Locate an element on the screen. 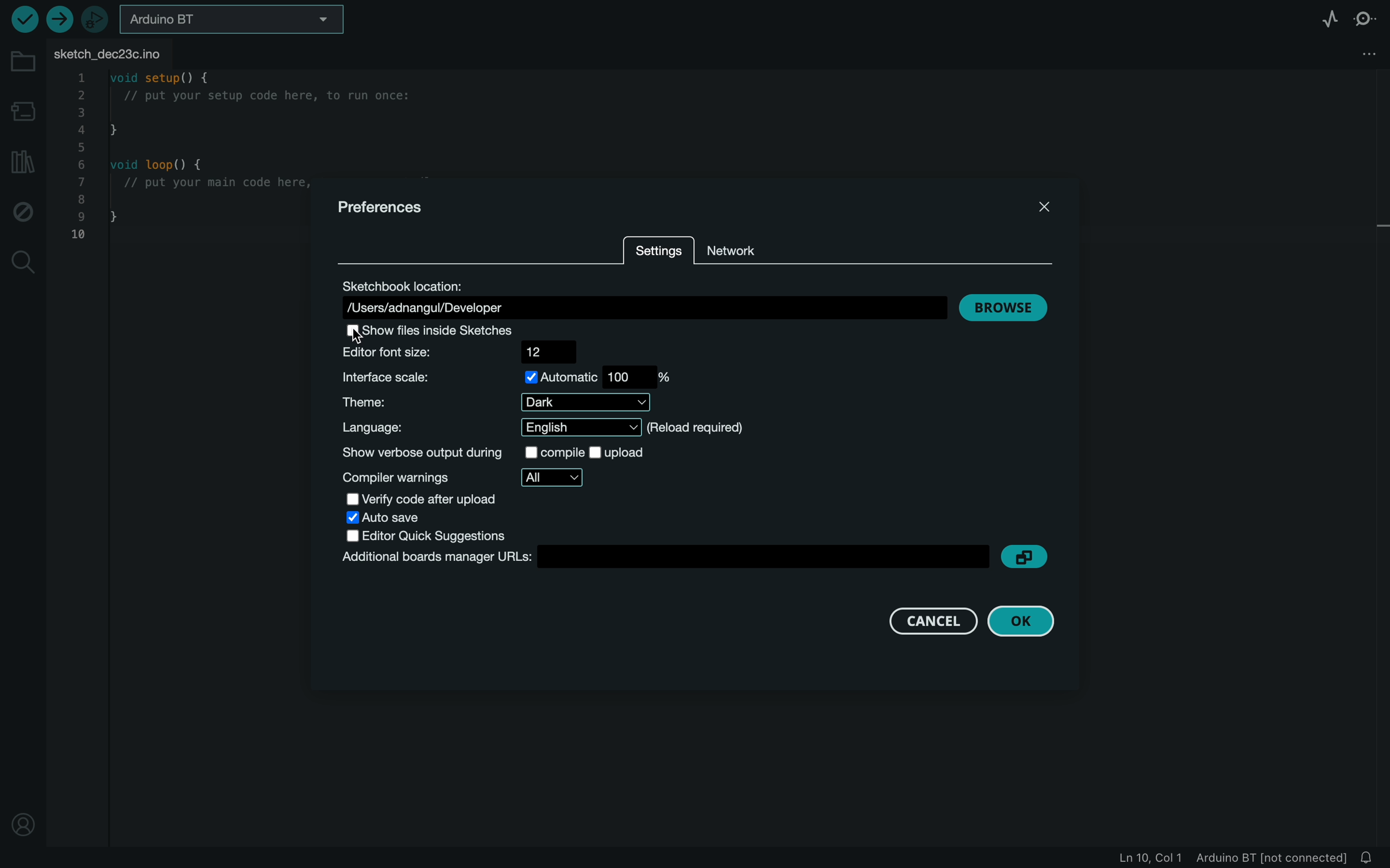  compiler warning is located at coordinates (464, 478).